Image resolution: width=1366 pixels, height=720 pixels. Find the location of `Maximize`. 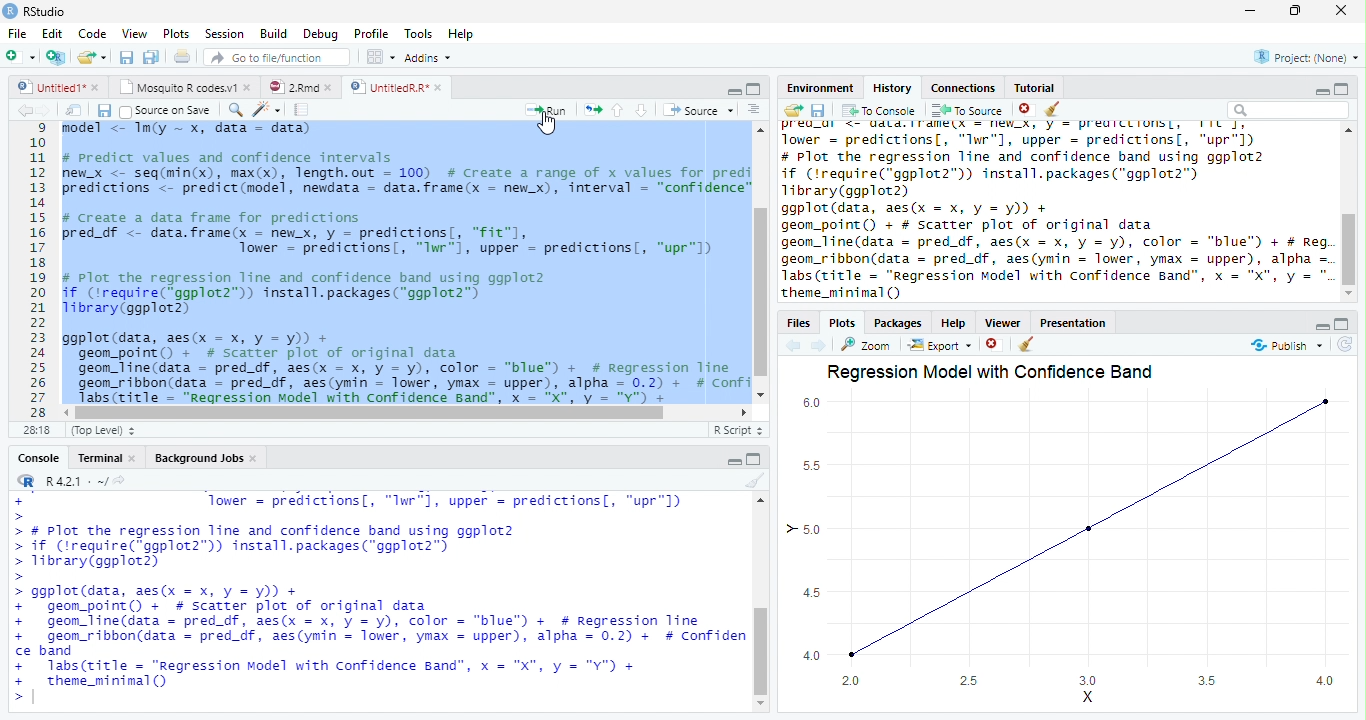

Maximize is located at coordinates (756, 89).